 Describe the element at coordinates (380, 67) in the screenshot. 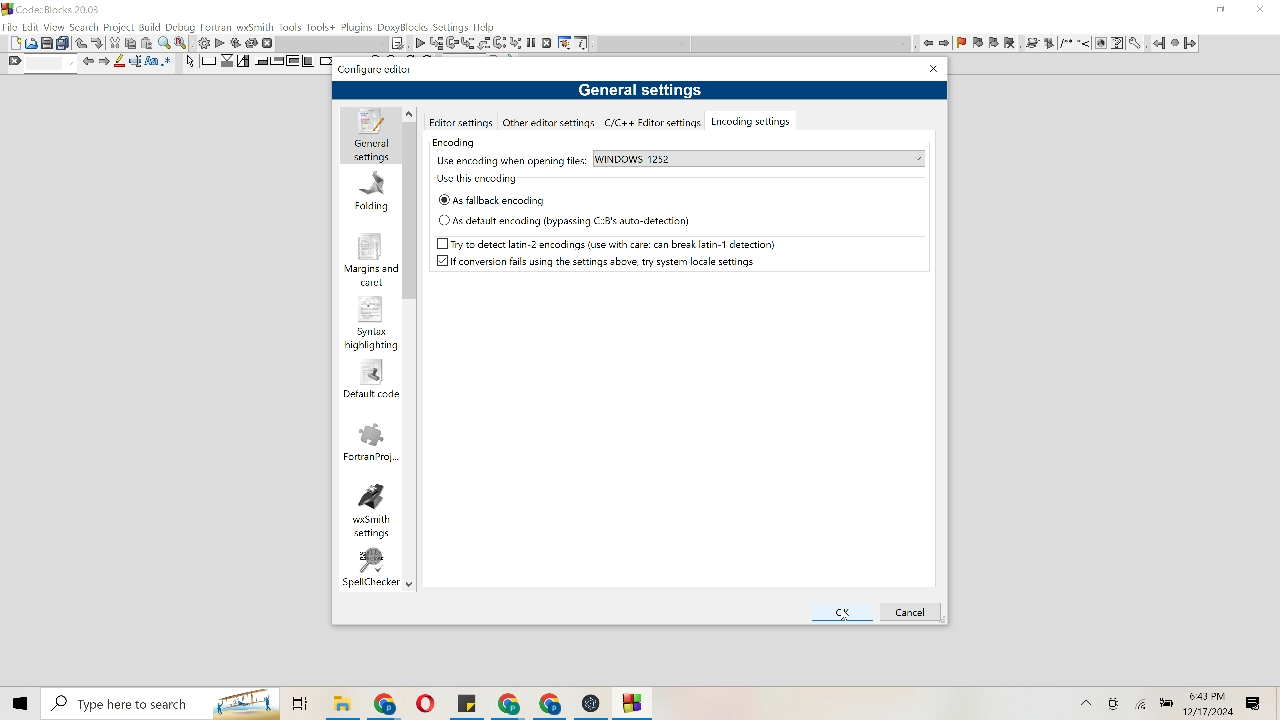

I see `Configure editor` at that location.